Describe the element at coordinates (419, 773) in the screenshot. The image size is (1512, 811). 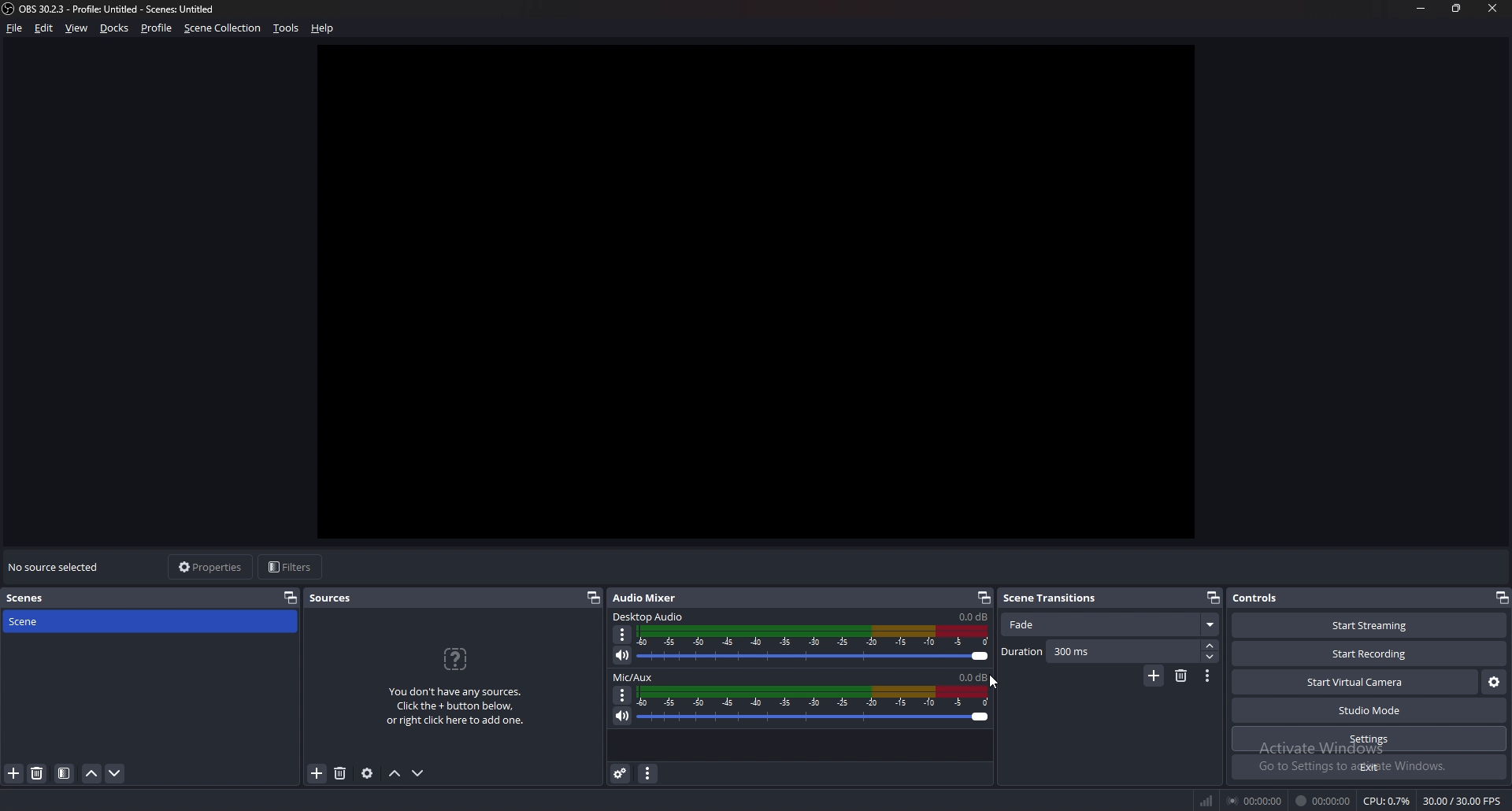
I see `move sources down` at that location.